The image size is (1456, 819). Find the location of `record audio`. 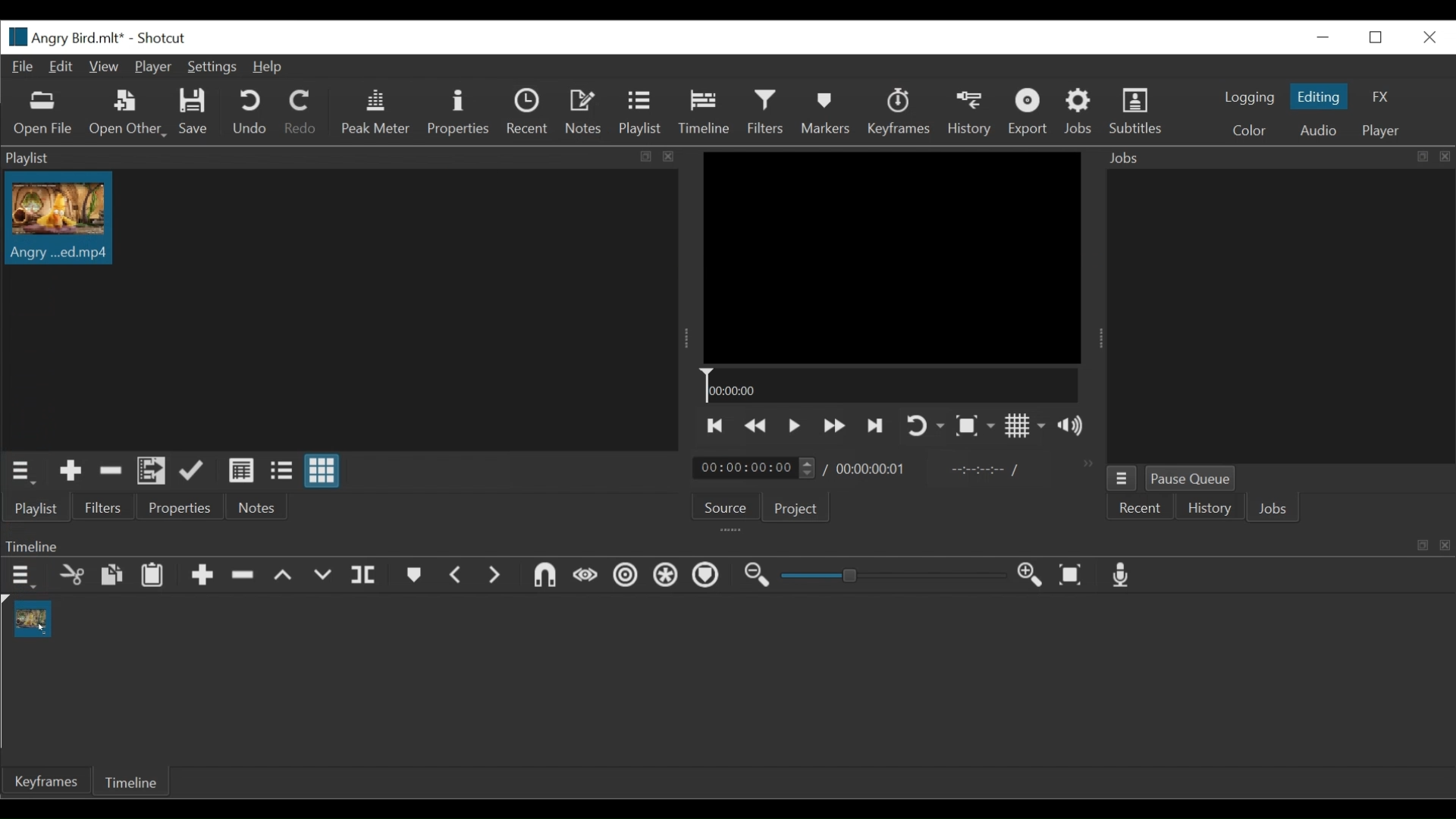

record audio is located at coordinates (1125, 576).